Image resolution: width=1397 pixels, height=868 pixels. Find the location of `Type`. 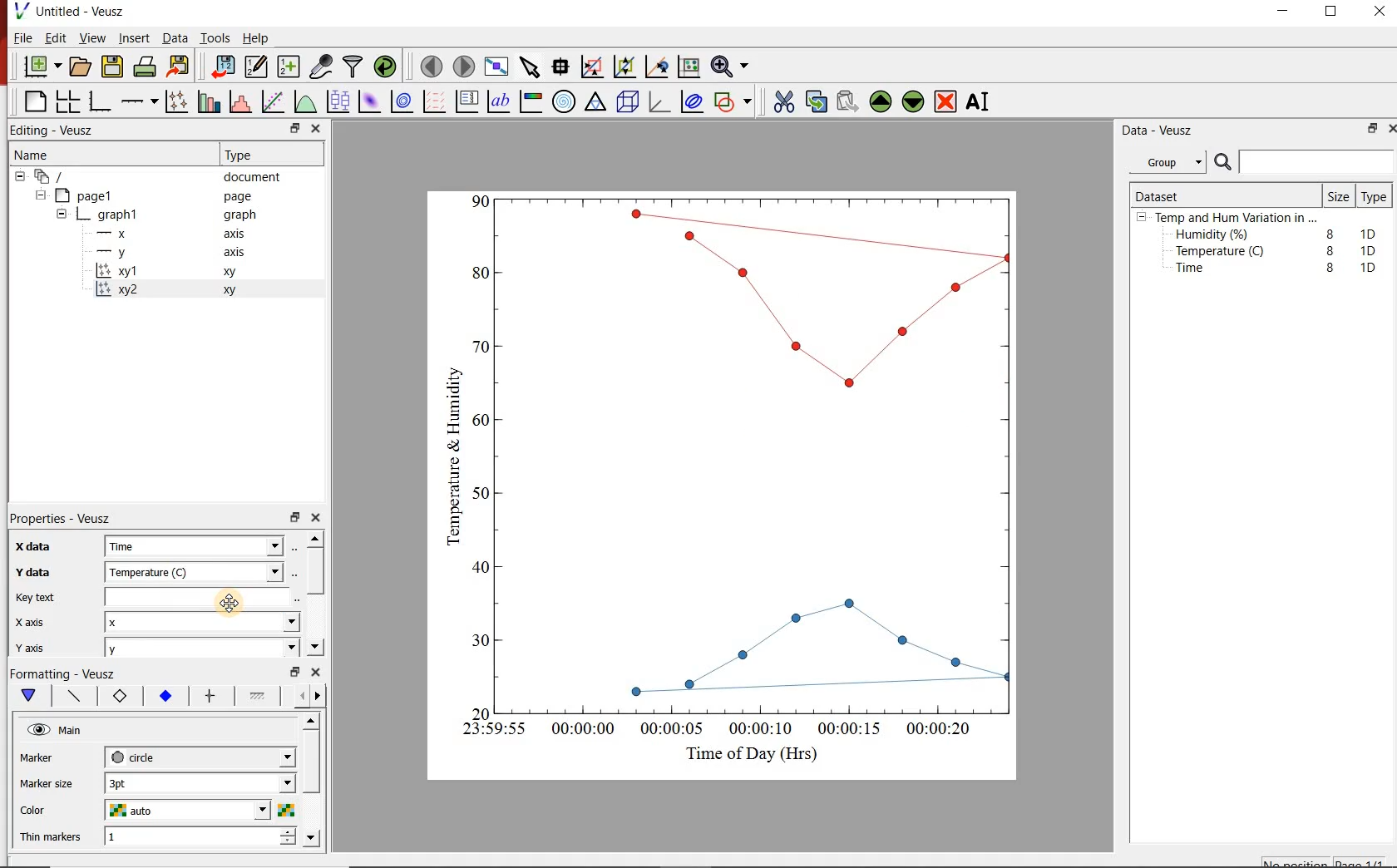

Type is located at coordinates (249, 155).